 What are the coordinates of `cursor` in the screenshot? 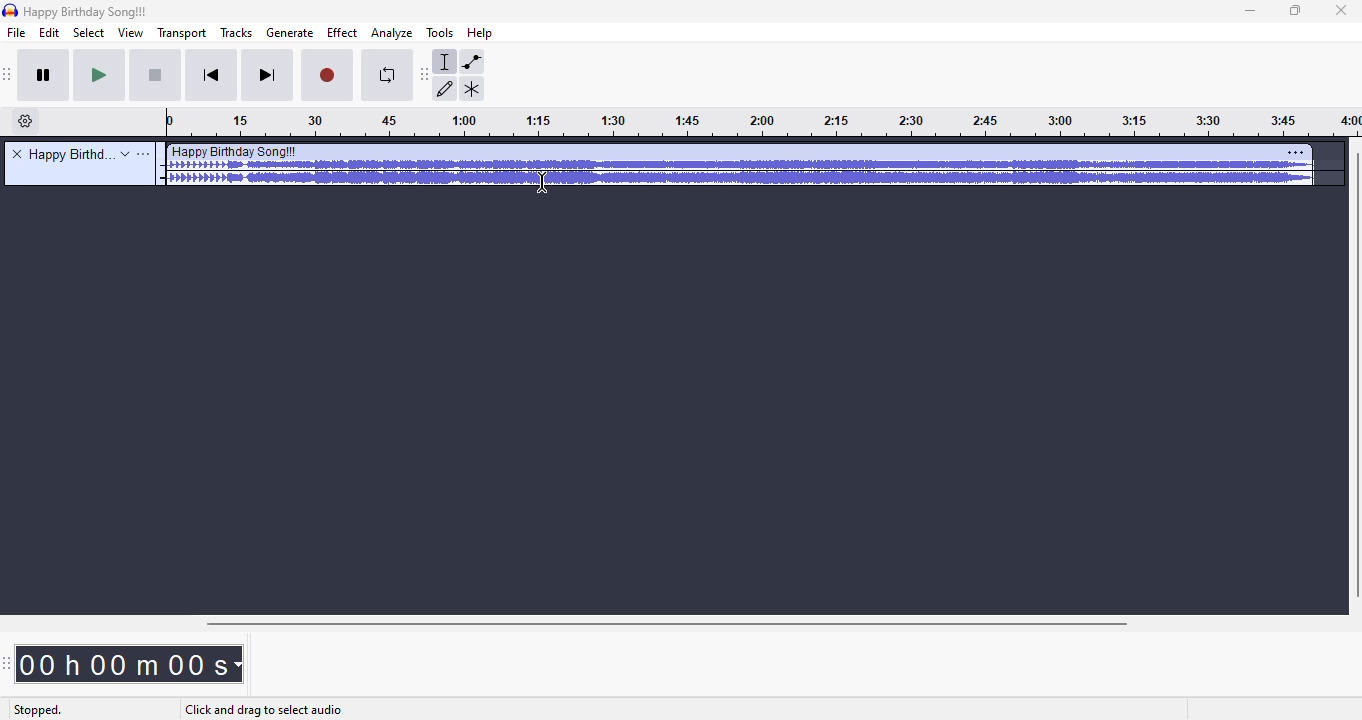 It's located at (542, 182).